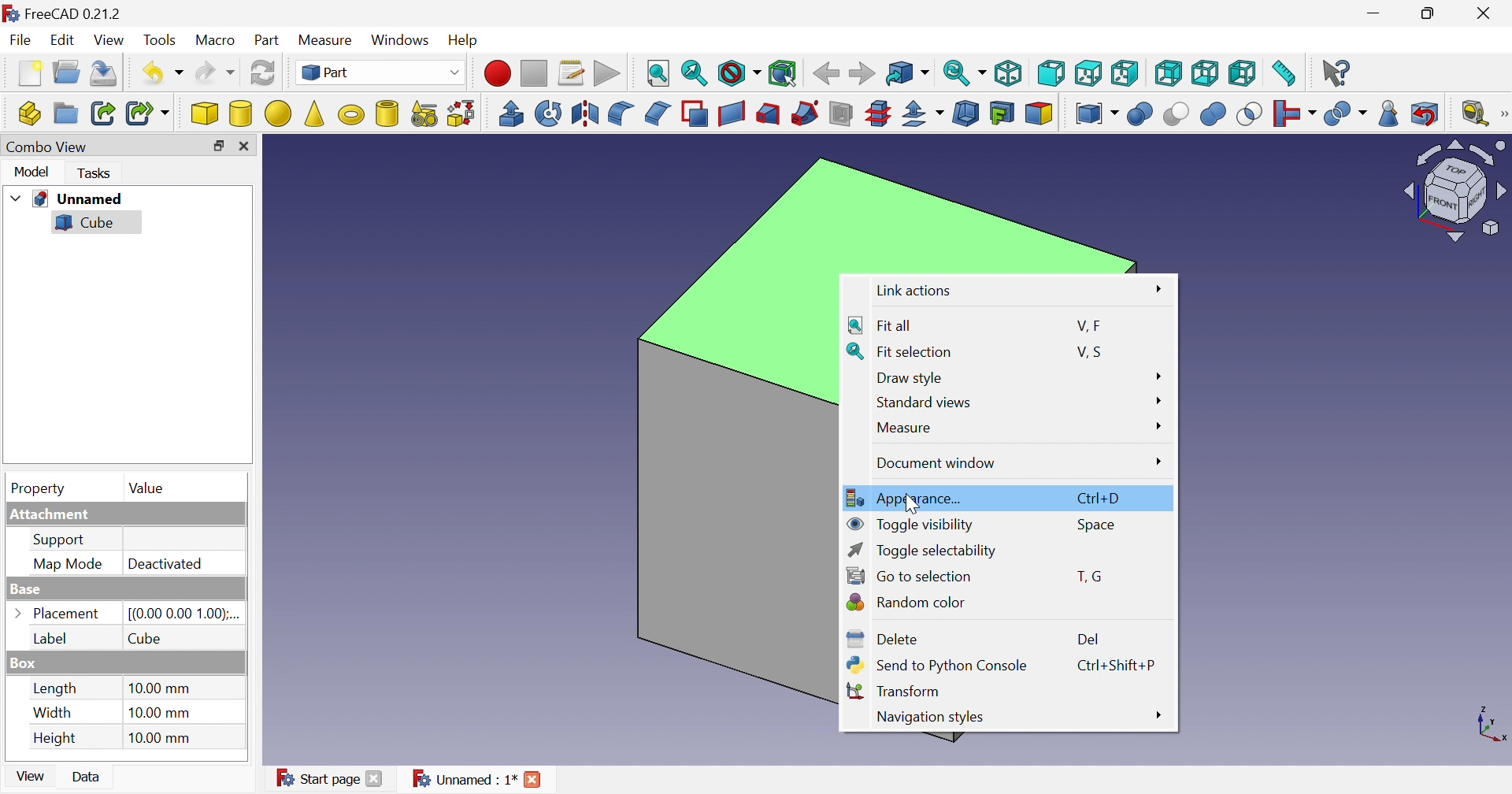 The height and width of the screenshot is (794, 1512). I want to click on Bounding box, so click(784, 71).